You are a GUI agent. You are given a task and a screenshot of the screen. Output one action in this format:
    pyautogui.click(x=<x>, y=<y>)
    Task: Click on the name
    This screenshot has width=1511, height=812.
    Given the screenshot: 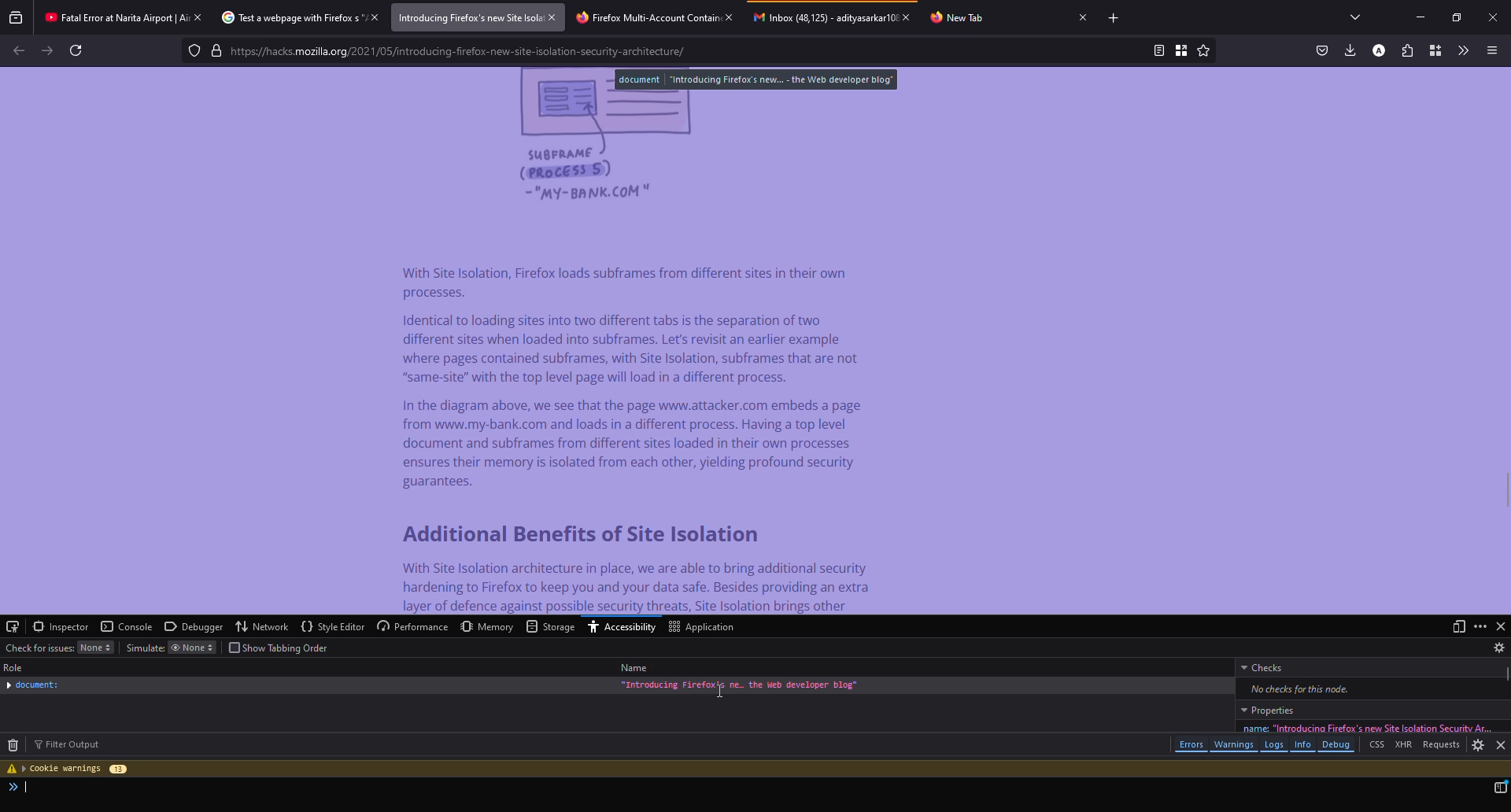 What is the action you would take?
    pyautogui.click(x=635, y=668)
    